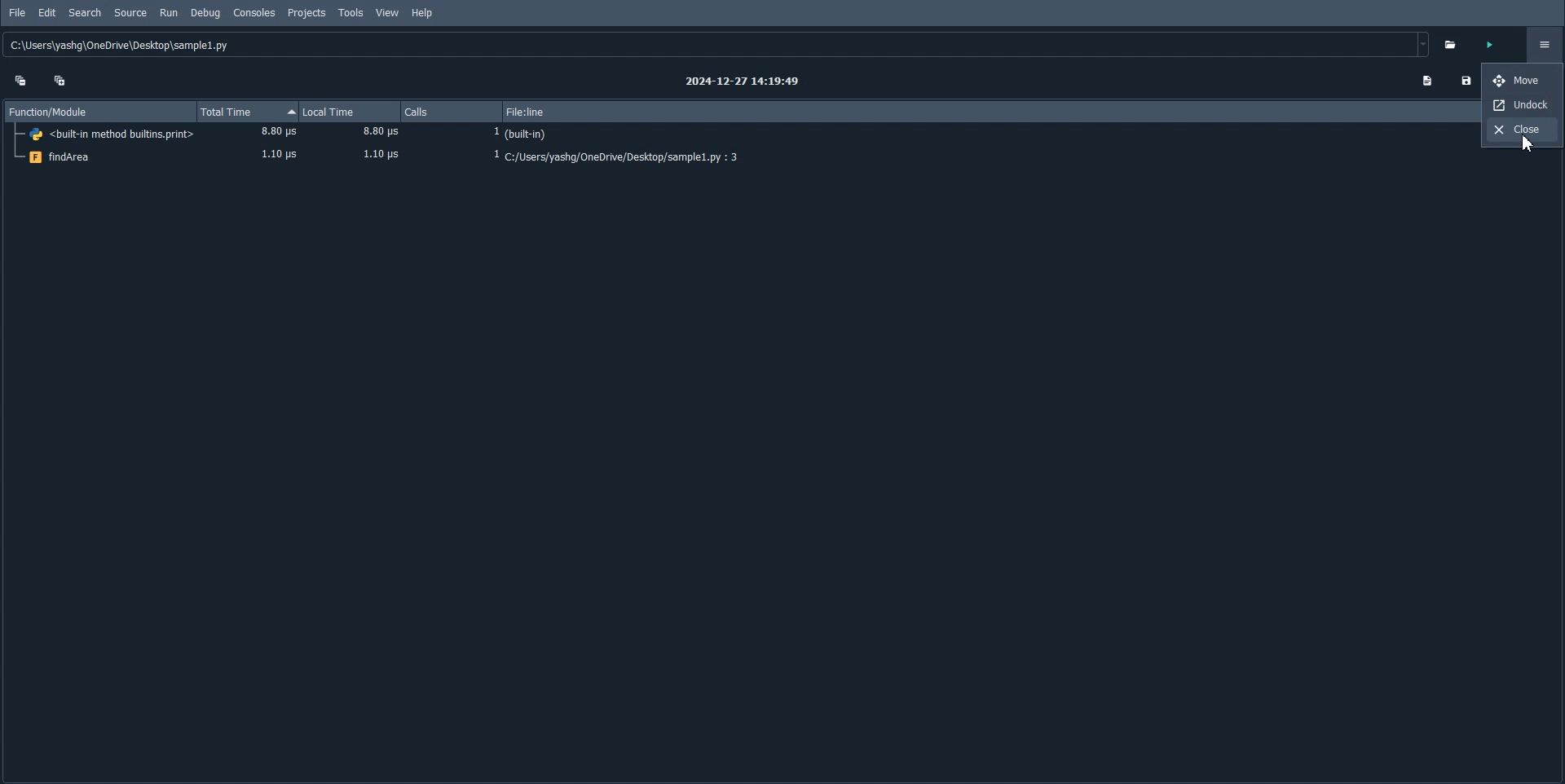 This screenshot has width=1565, height=784. What do you see at coordinates (351, 12) in the screenshot?
I see `Tools` at bounding box center [351, 12].